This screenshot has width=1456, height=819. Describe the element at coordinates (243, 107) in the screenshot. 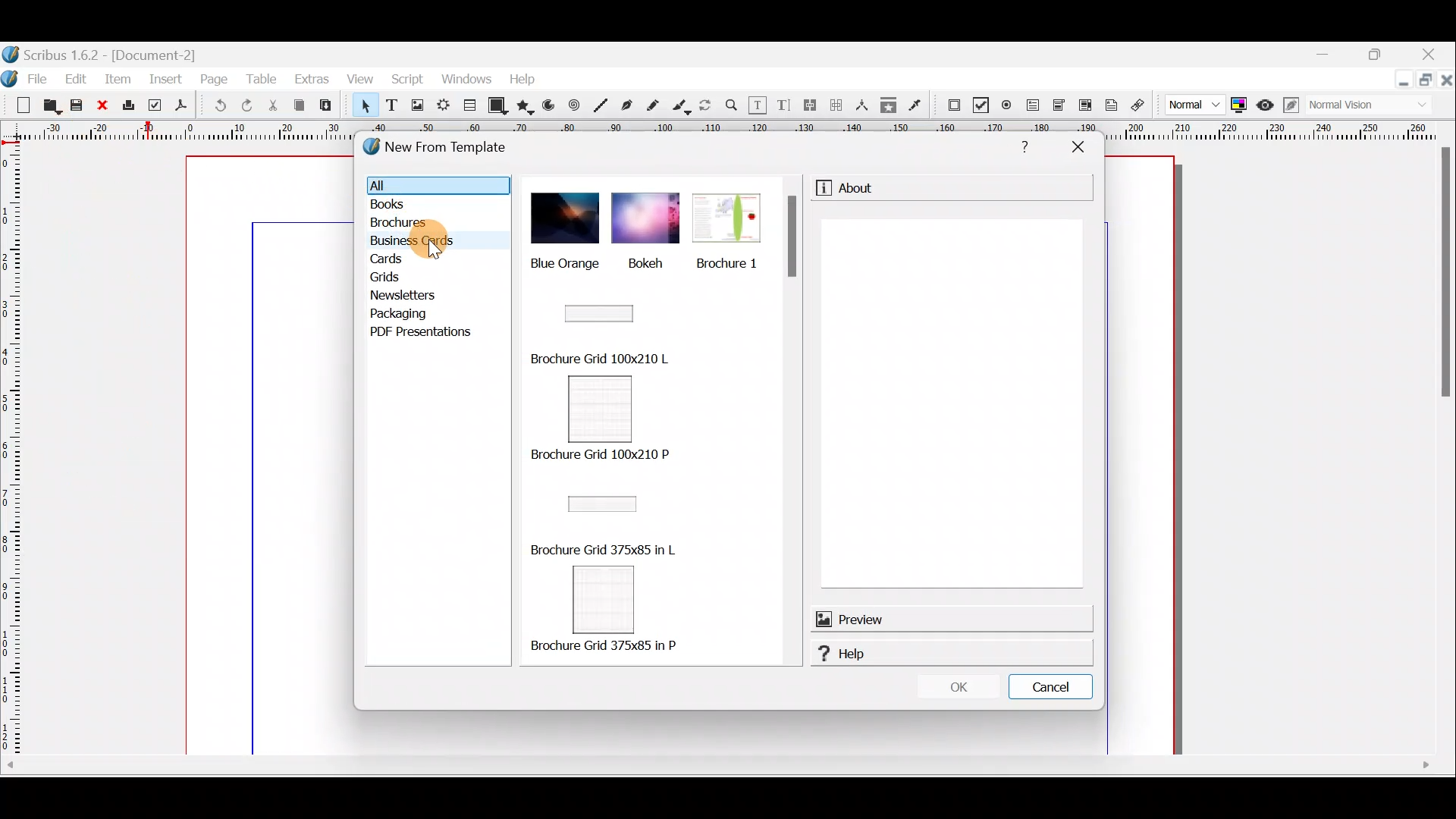

I see `Redo` at that location.